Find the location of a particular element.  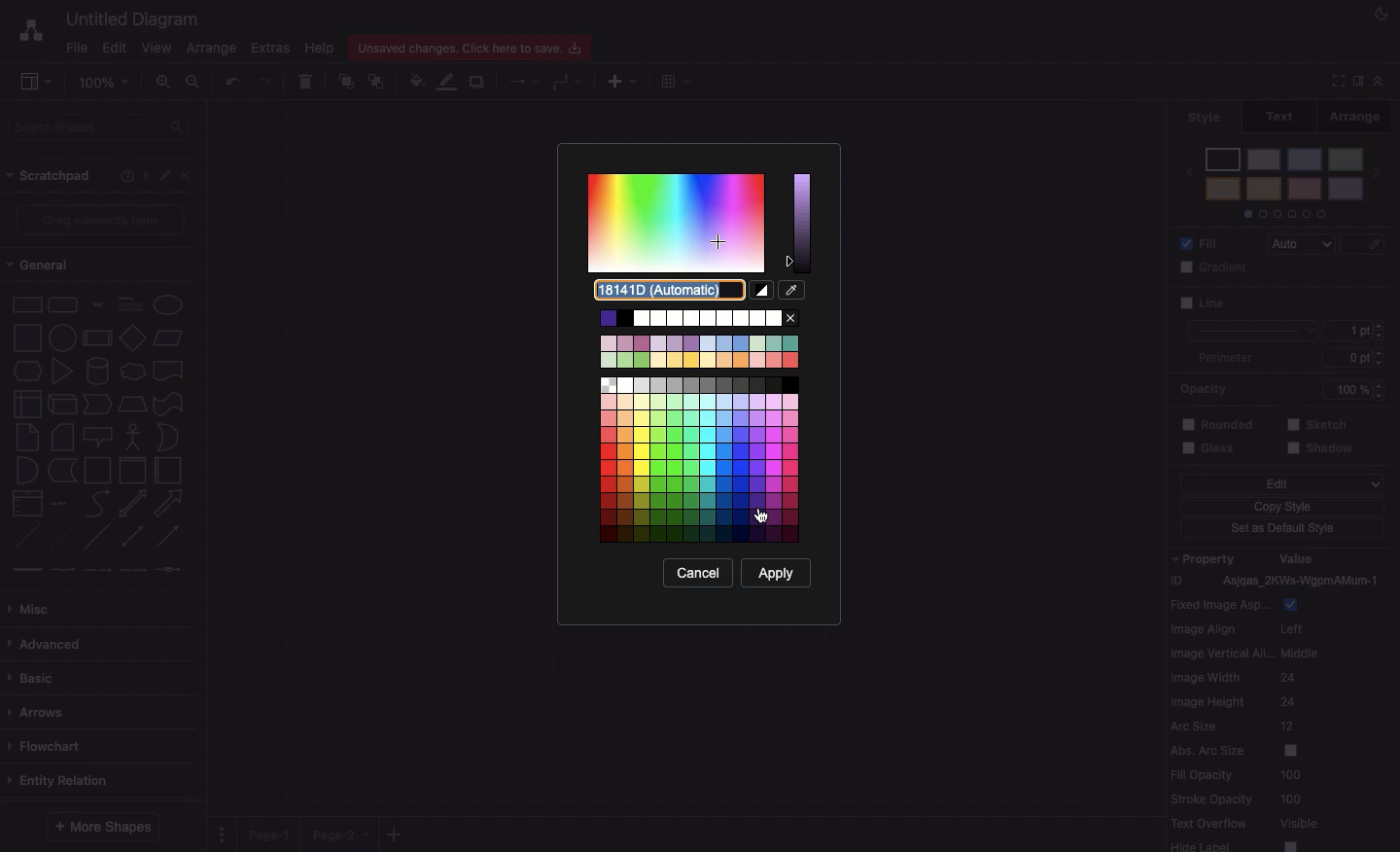

Undo is located at coordinates (231, 80).